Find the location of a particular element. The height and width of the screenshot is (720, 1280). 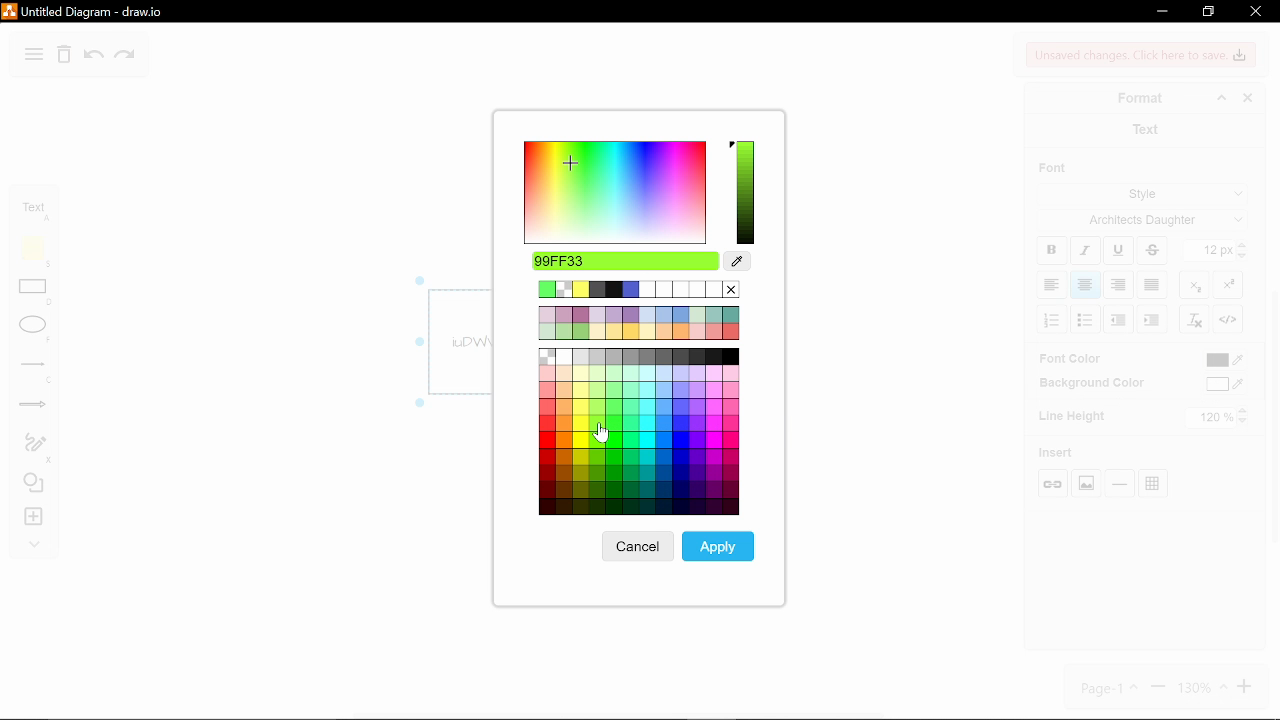

Unsaved changes. Click here to save changes is located at coordinates (1138, 55).